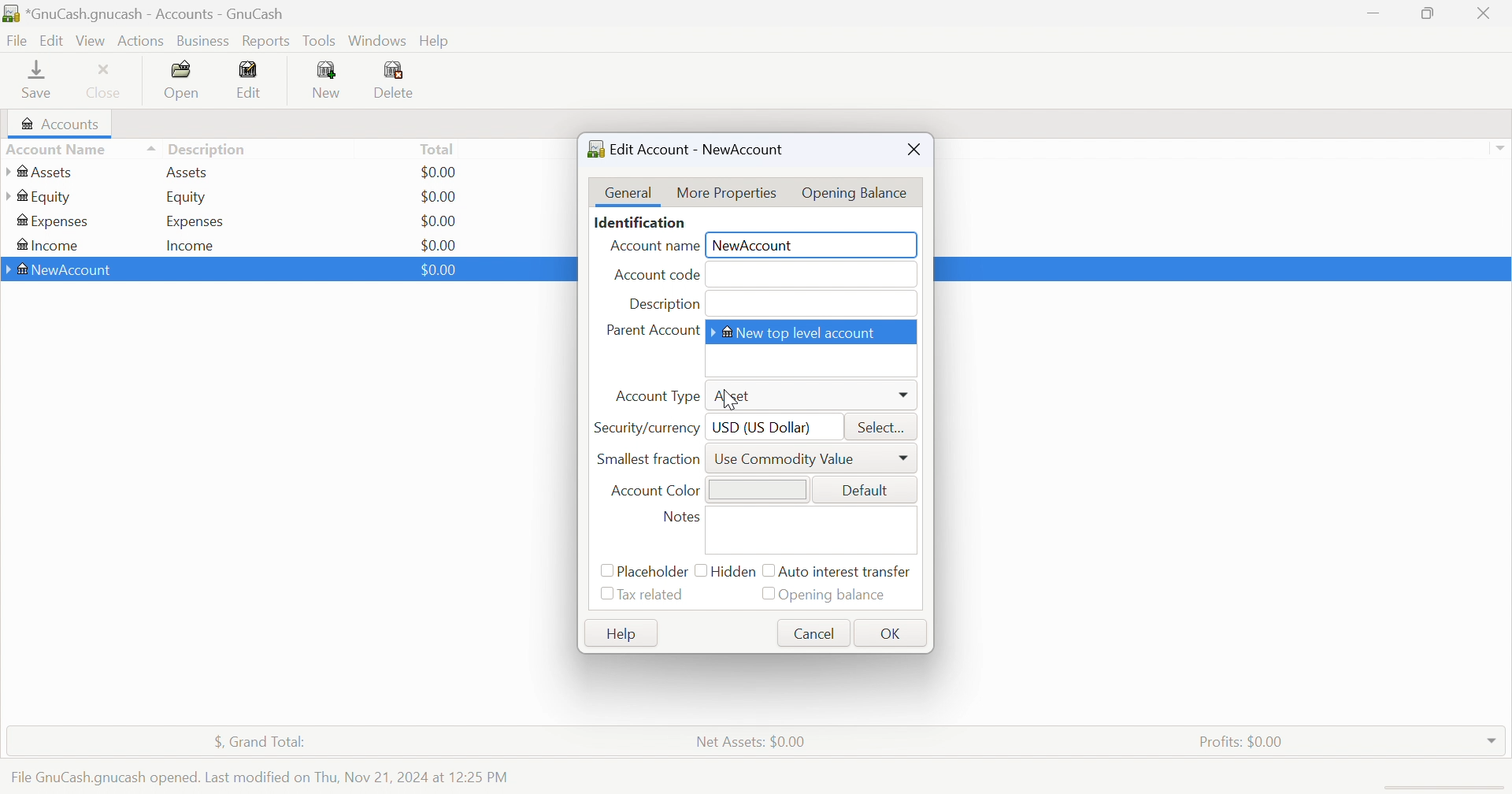  I want to click on Vies, so click(91, 40).